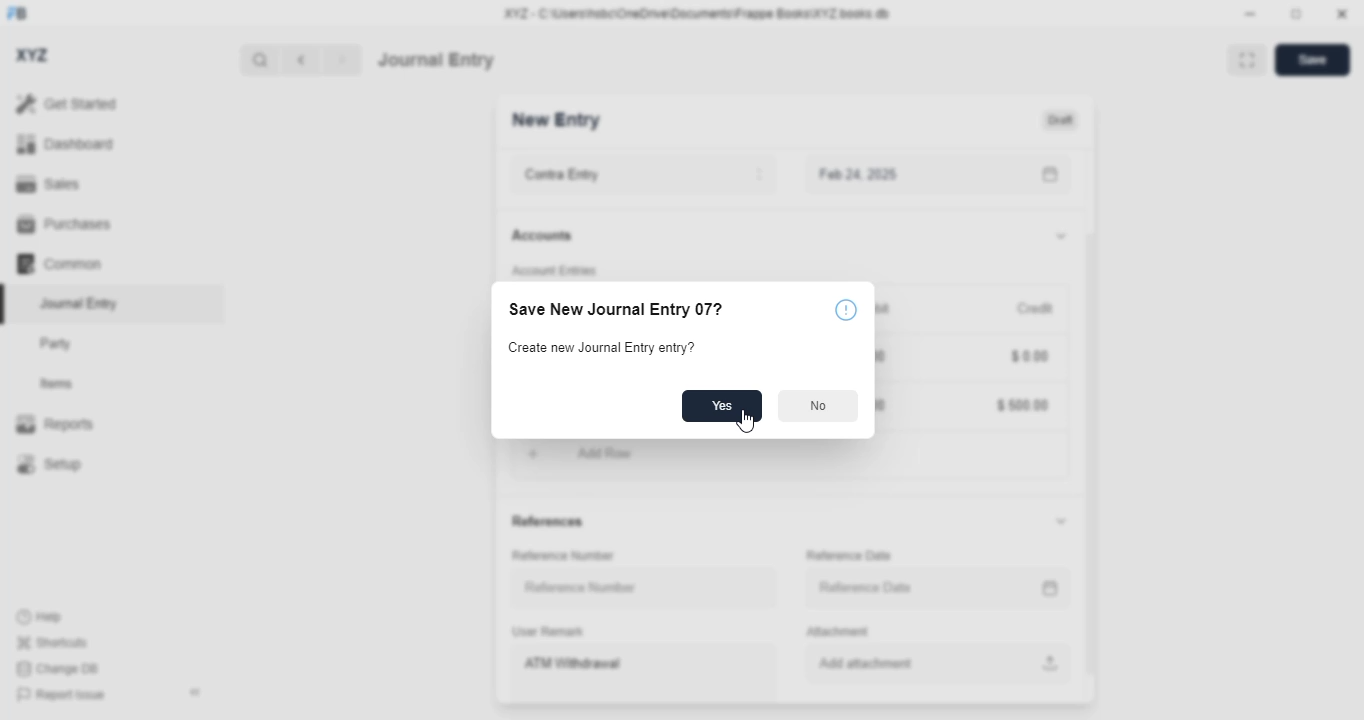 The height and width of the screenshot is (720, 1364). What do you see at coordinates (67, 104) in the screenshot?
I see `get started` at bounding box center [67, 104].